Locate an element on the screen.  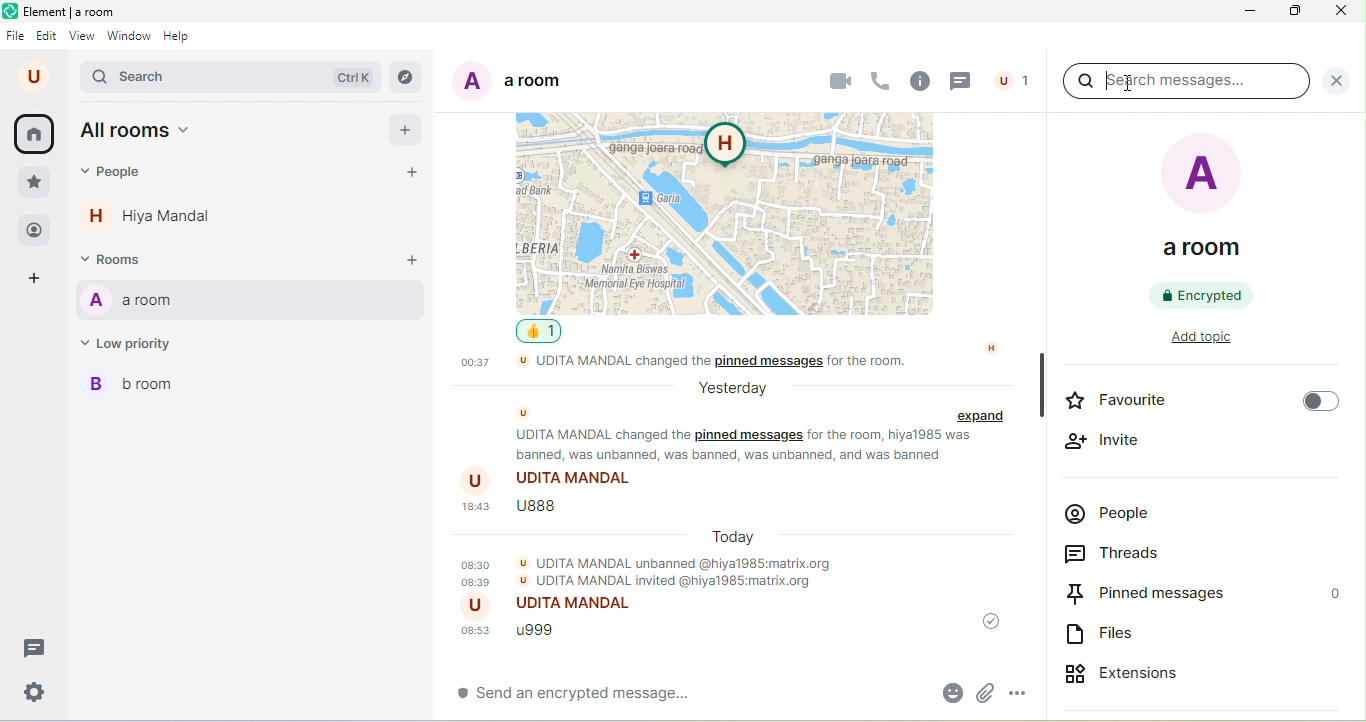
invite is located at coordinates (1106, 441).